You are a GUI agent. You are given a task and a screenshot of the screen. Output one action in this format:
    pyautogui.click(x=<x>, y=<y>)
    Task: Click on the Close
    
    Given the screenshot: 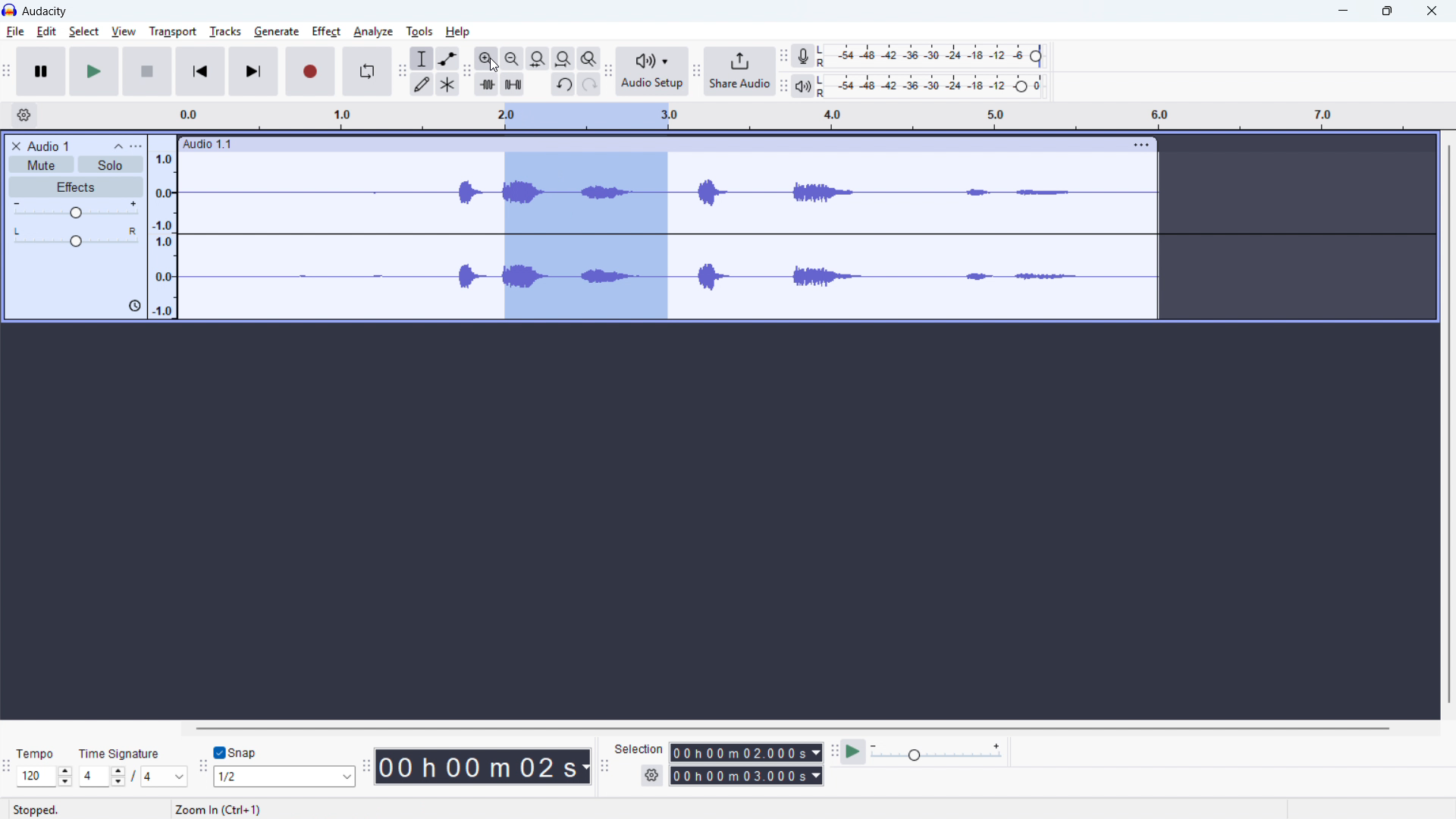 What is the action you would take?
    pyautogui.click(x=1430, y=11)
    